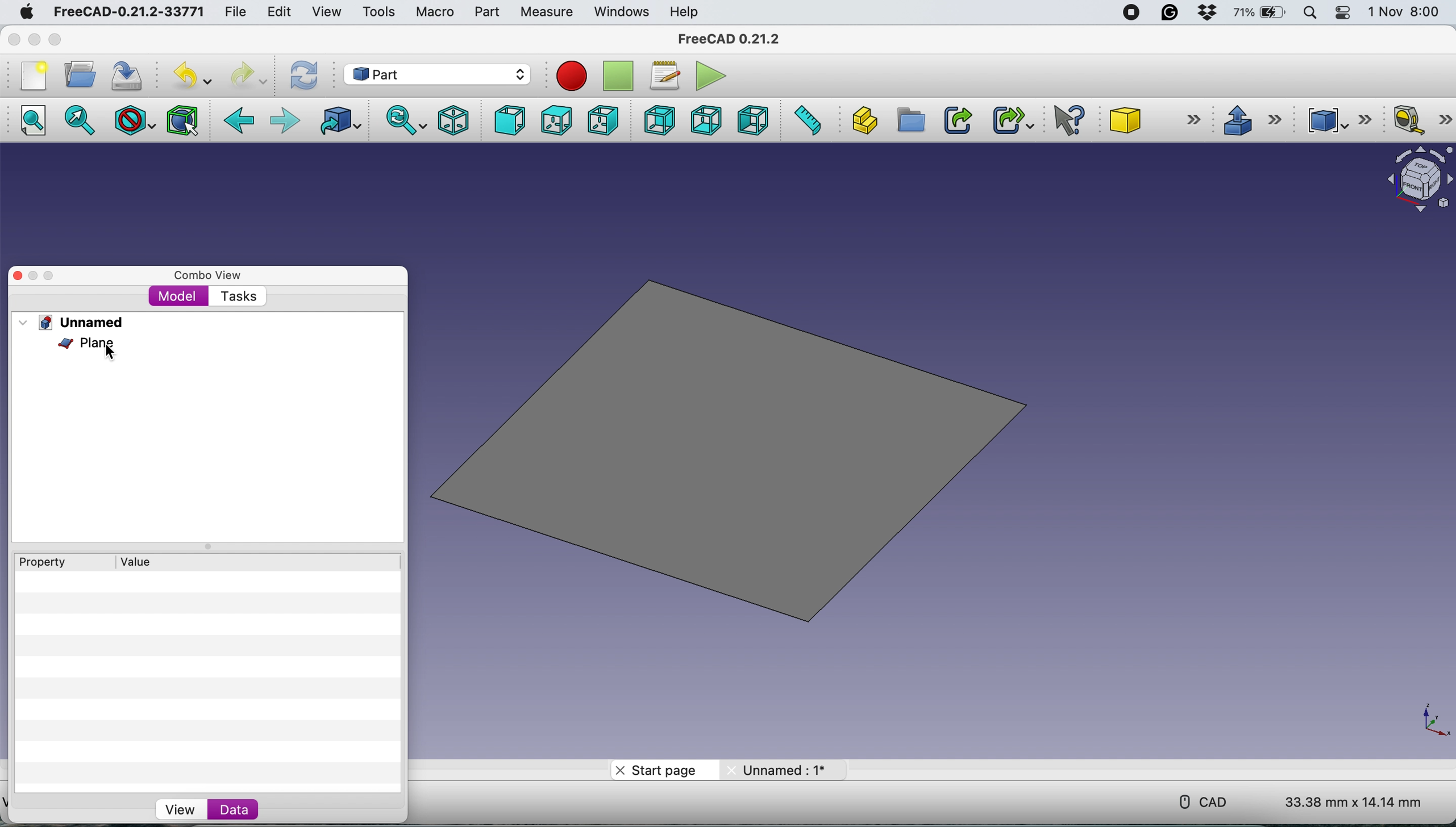  I want to click on value, so click(142, 562).